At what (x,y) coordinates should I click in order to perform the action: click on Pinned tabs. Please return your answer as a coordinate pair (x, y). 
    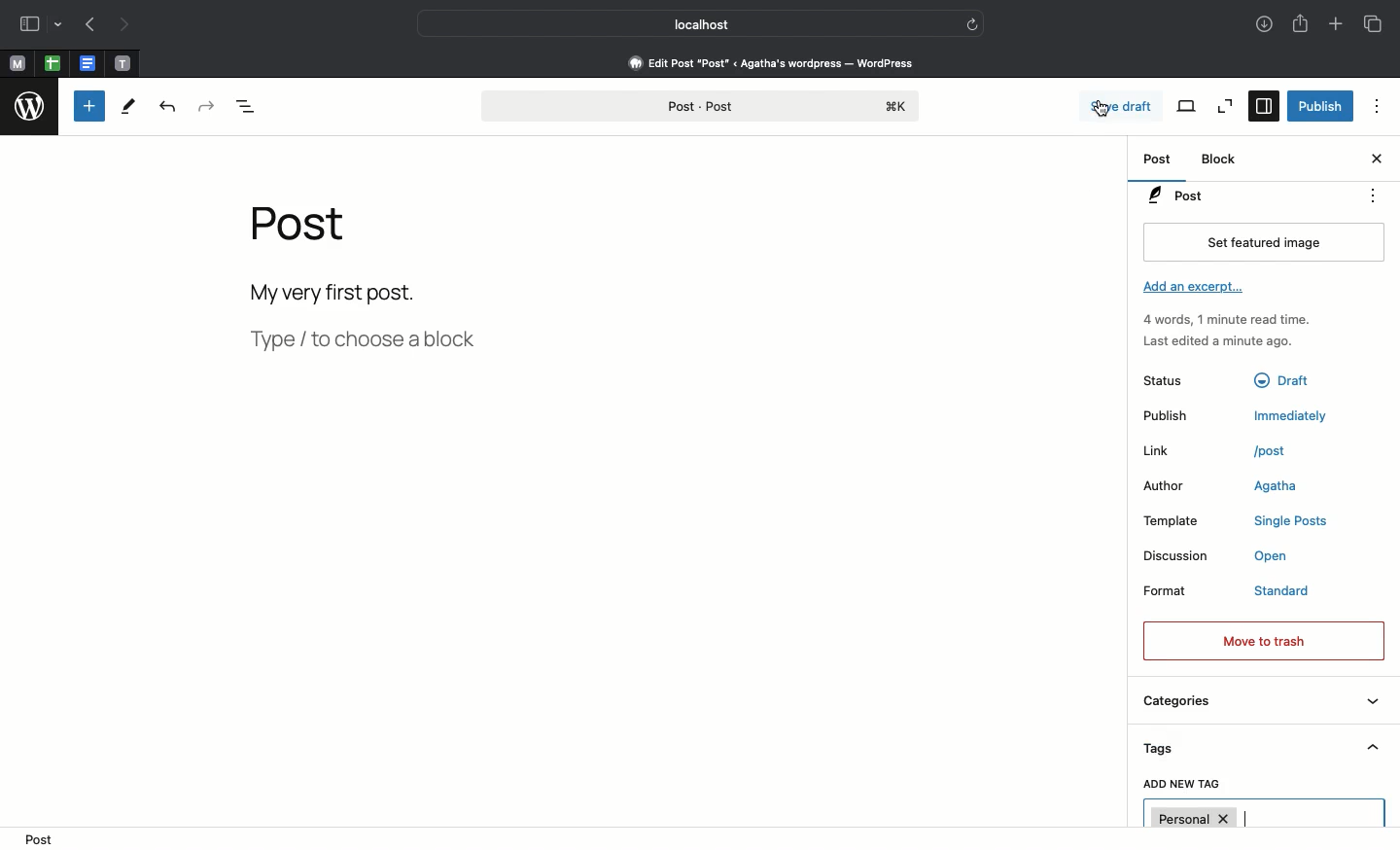
    Looking at the image, I should click on (51, 62).